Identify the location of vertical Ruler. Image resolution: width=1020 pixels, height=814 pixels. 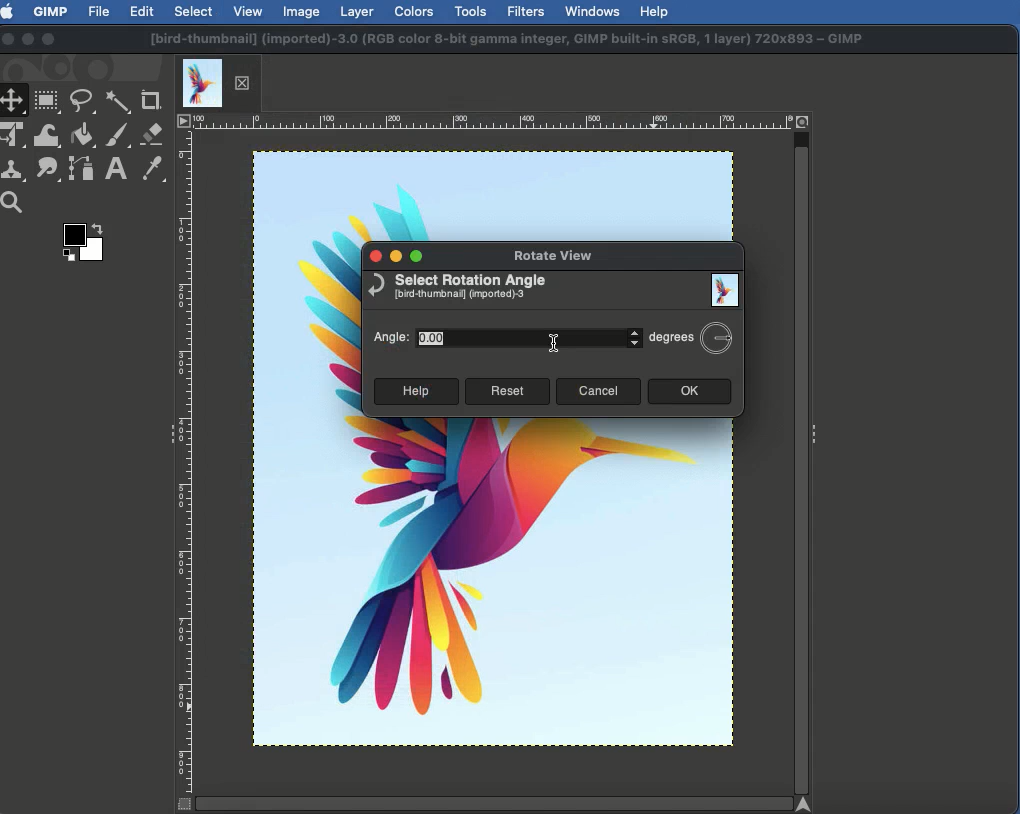
(186, 462).